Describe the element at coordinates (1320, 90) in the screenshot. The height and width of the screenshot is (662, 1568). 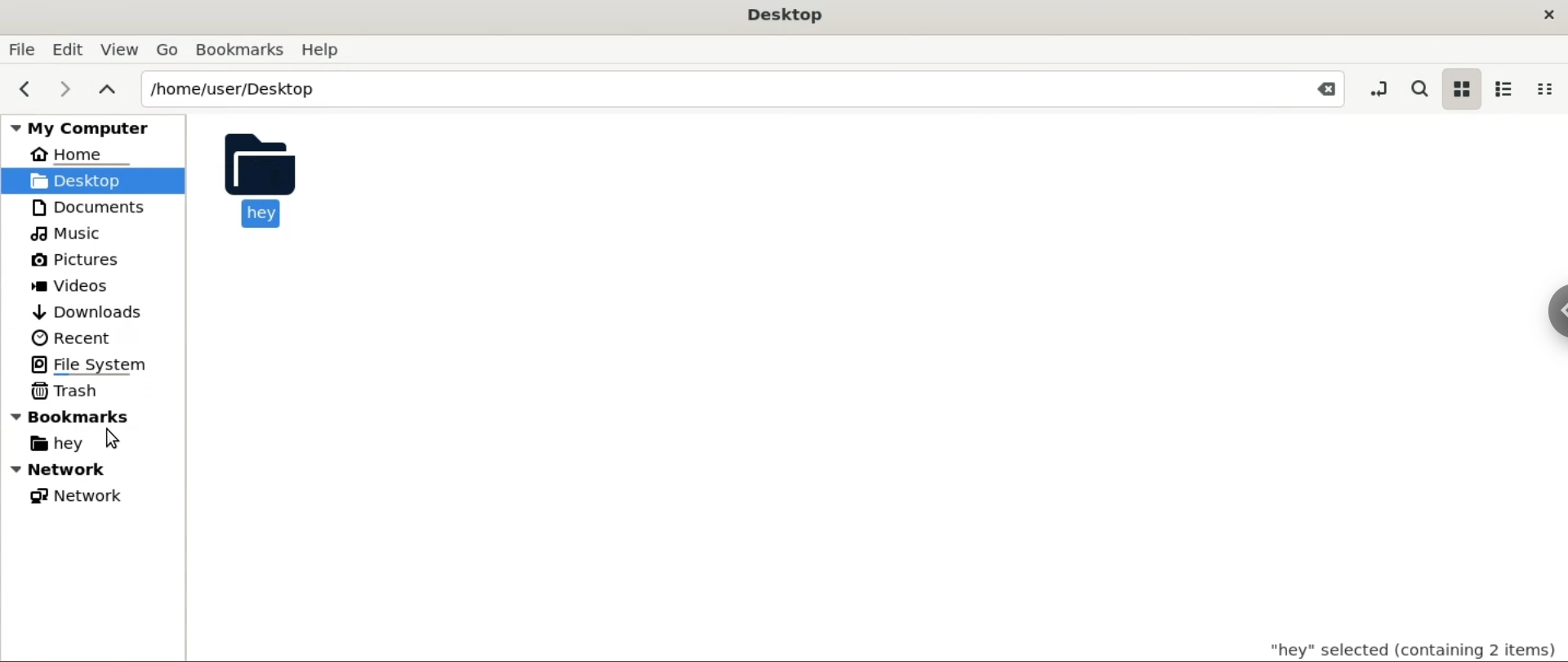
I see `Close` at that location.